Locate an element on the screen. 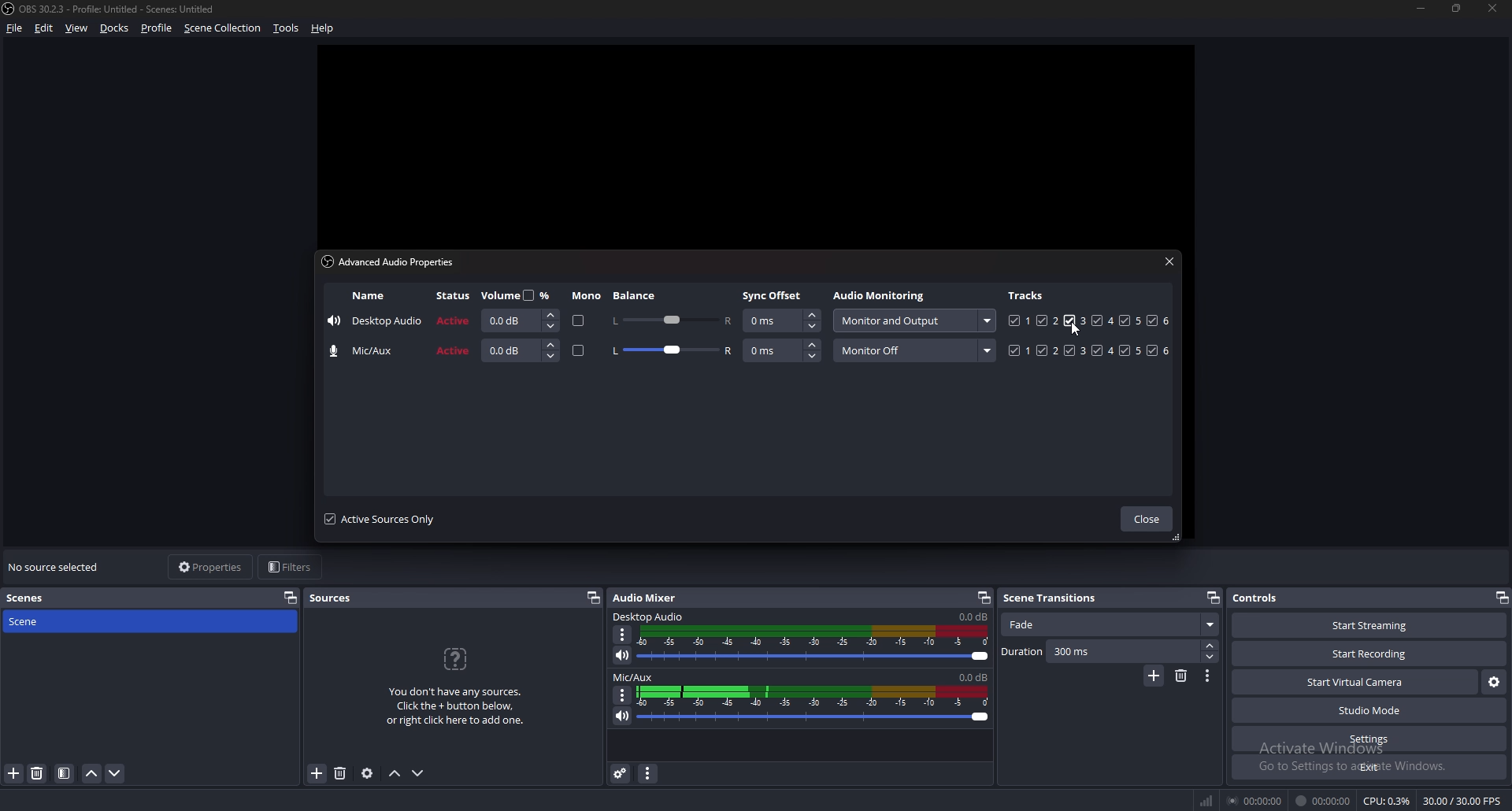 The width and height of the screenshot is (1512, 811). balance is located at coordinates (636, 295).